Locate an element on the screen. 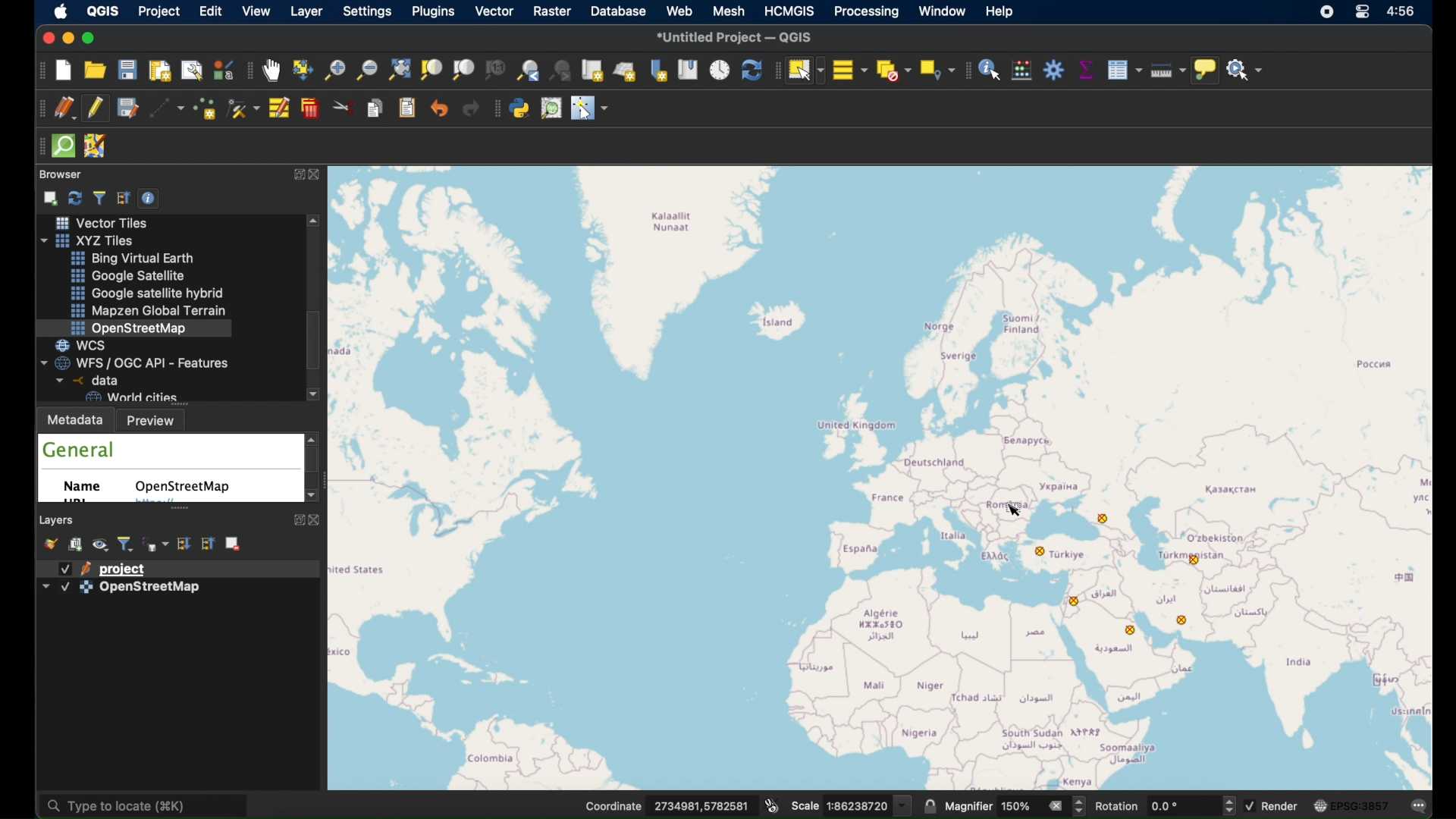  control center is located at coordinates (1364, 14).